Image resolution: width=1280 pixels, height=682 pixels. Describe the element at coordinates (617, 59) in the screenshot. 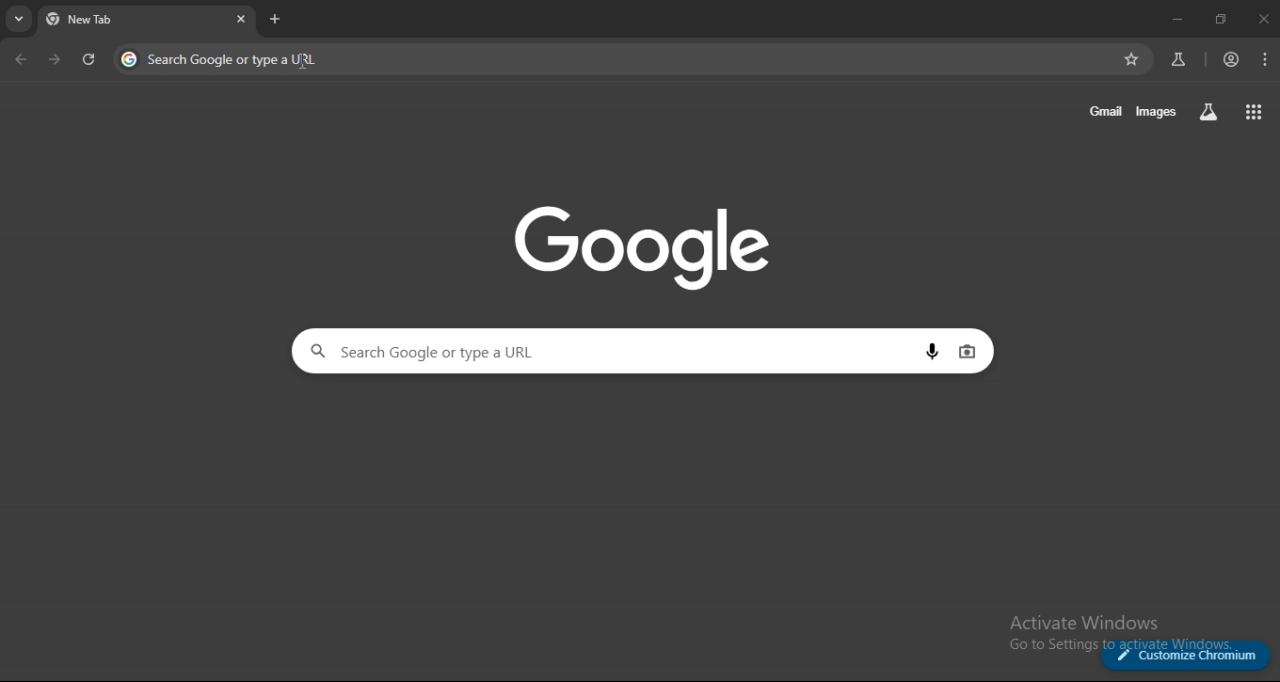

I see `search google or type a URL` at that location.